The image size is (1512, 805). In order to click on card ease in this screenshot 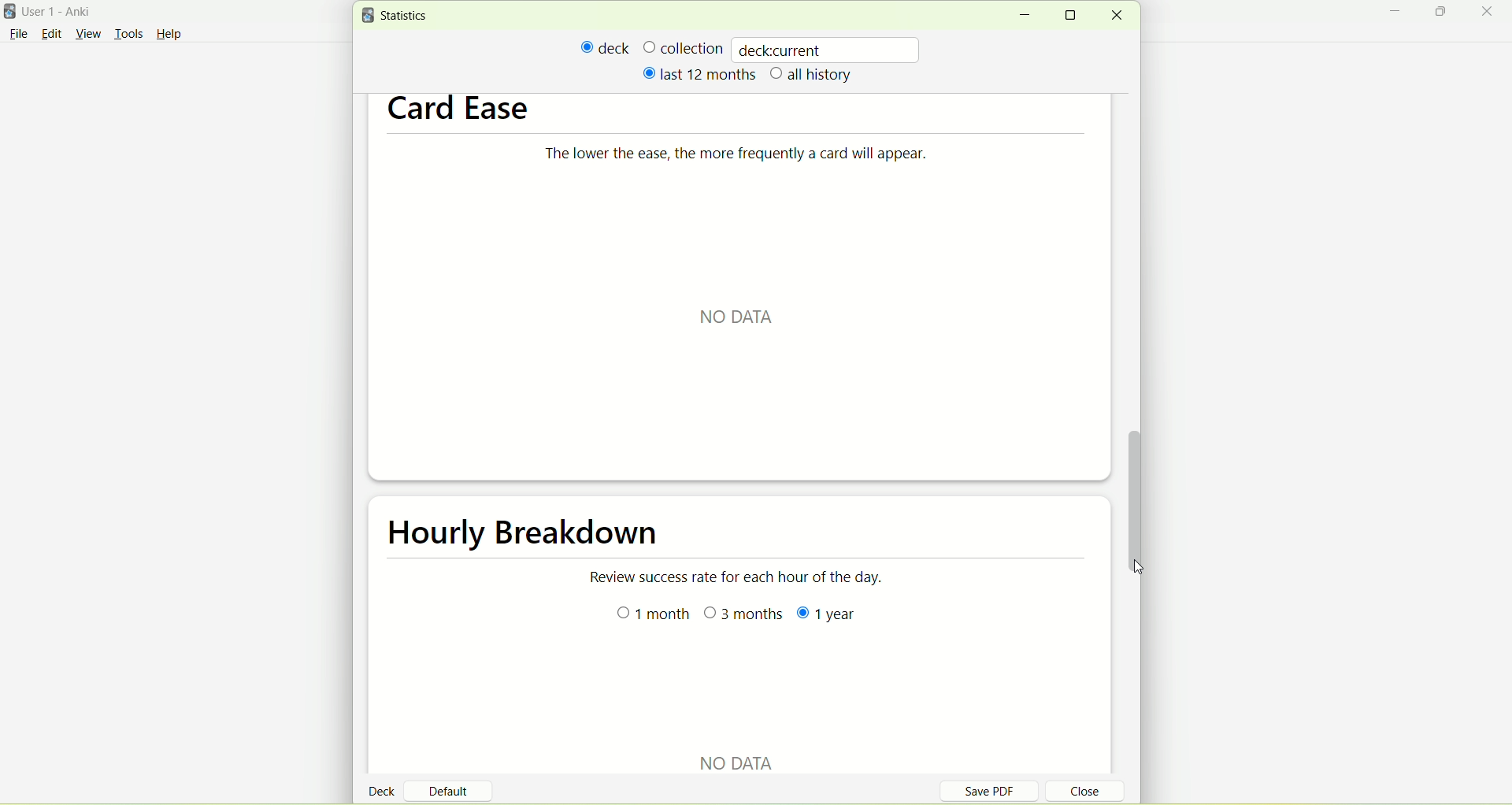, I will do `click(459, 109)`.